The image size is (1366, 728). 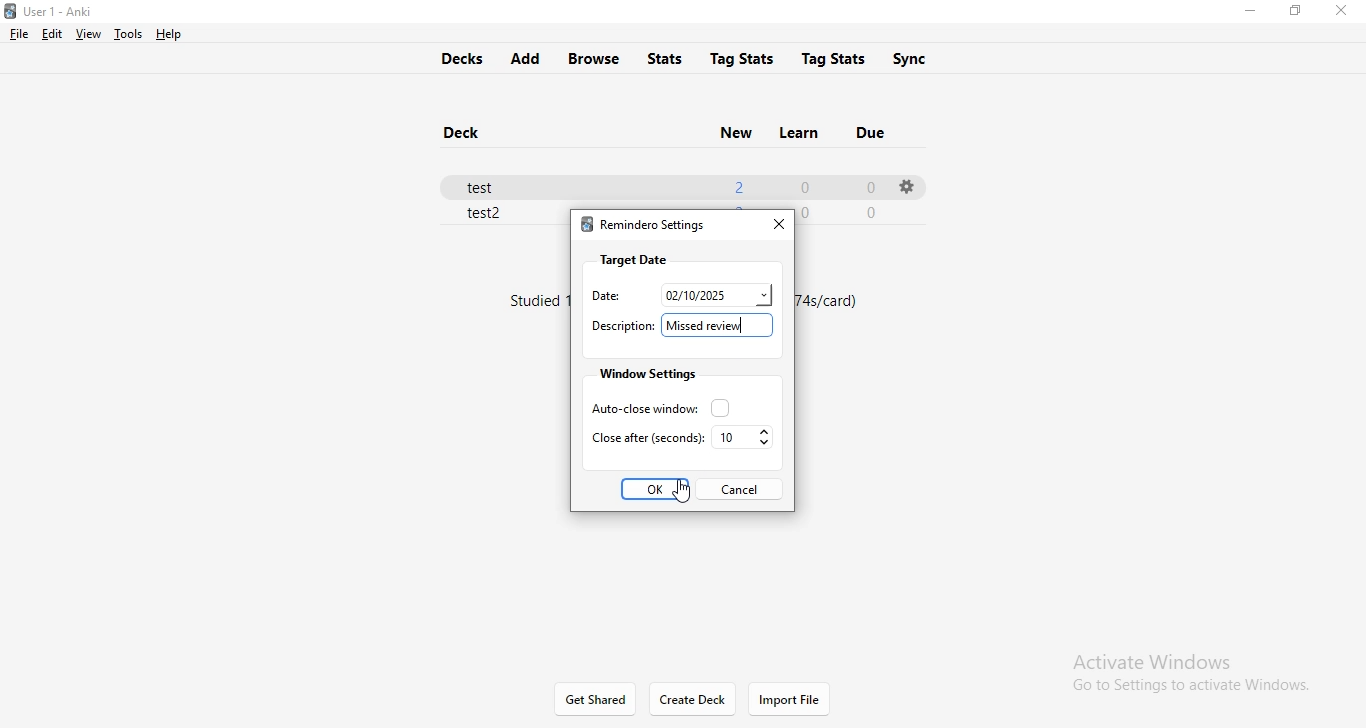 I want to click on add, so click(x=524, y=59).